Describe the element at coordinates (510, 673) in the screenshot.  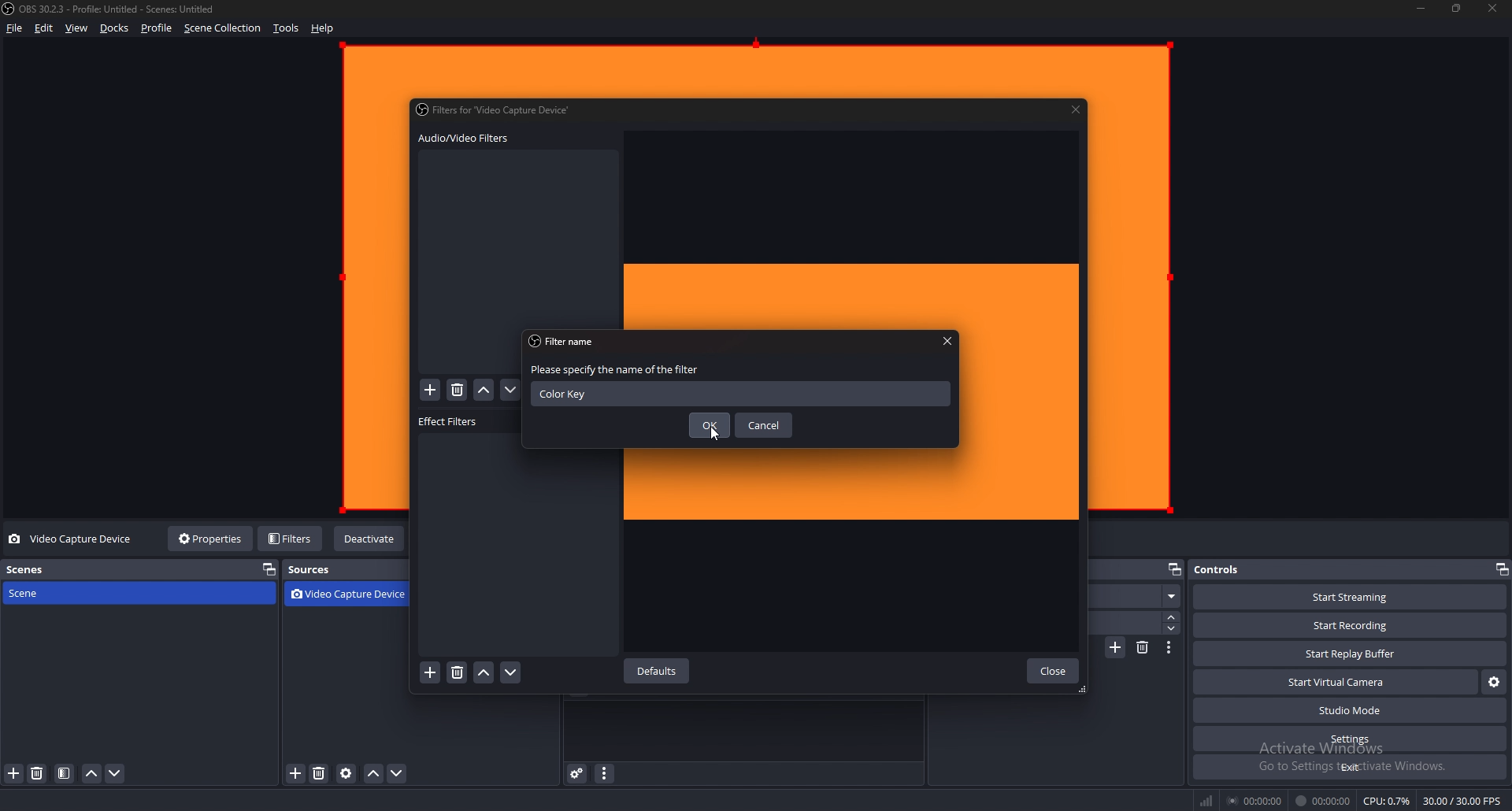
I see `move filter down` at that location.